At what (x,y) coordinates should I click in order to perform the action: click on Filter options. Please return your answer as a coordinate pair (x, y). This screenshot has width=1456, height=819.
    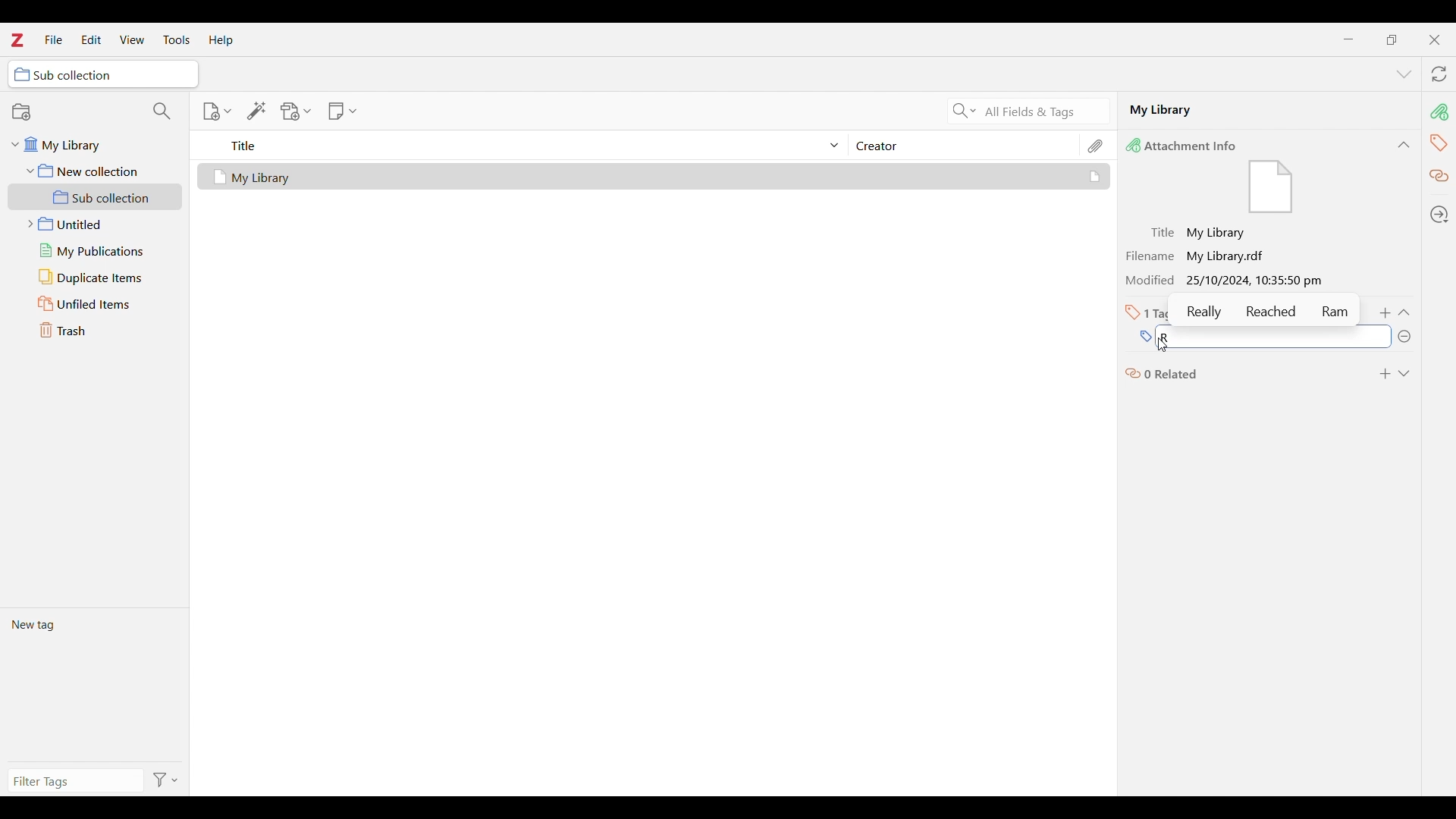
    Looking at the image, I should click on (166, 781).